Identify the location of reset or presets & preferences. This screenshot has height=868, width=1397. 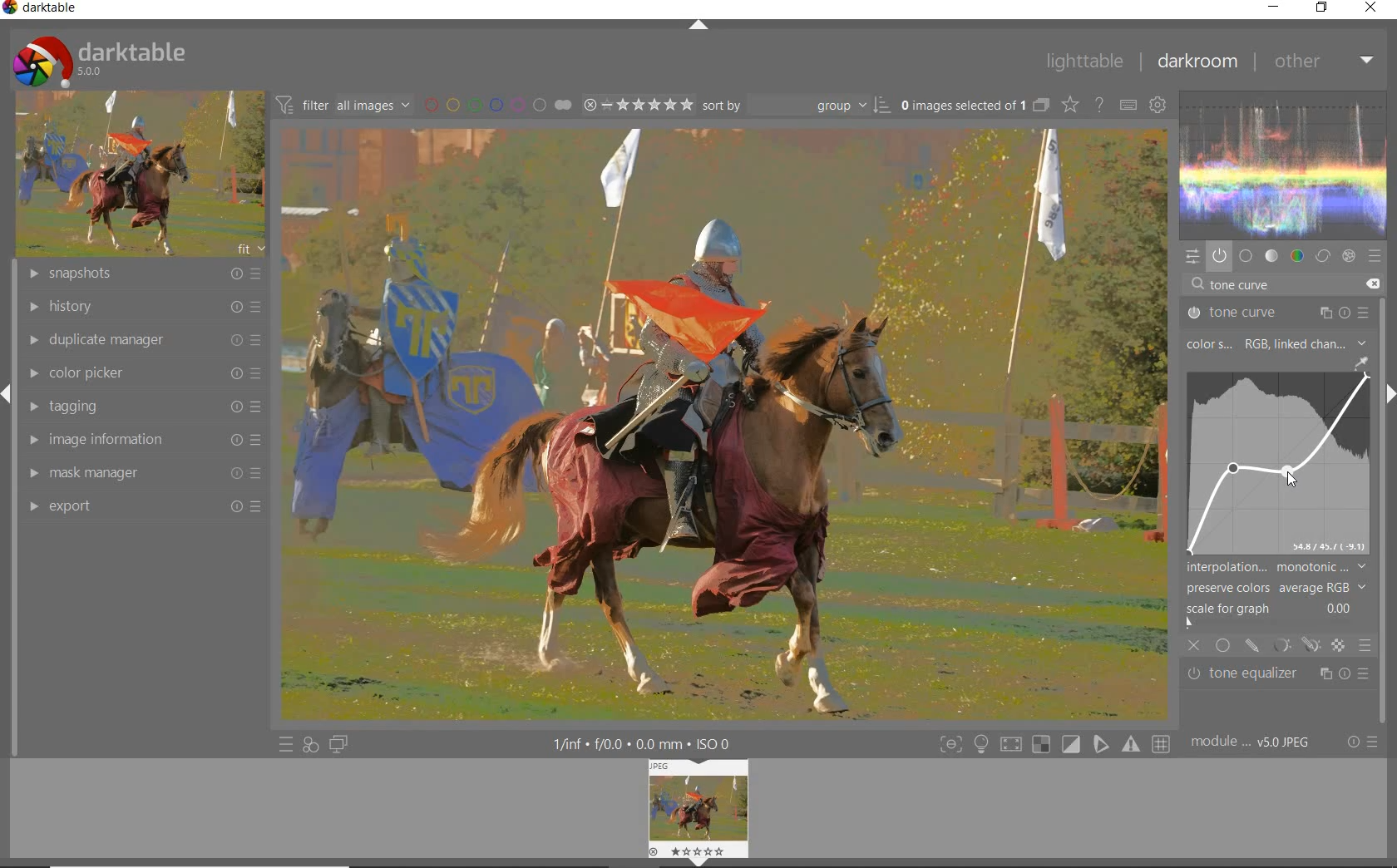
(1362, 743).